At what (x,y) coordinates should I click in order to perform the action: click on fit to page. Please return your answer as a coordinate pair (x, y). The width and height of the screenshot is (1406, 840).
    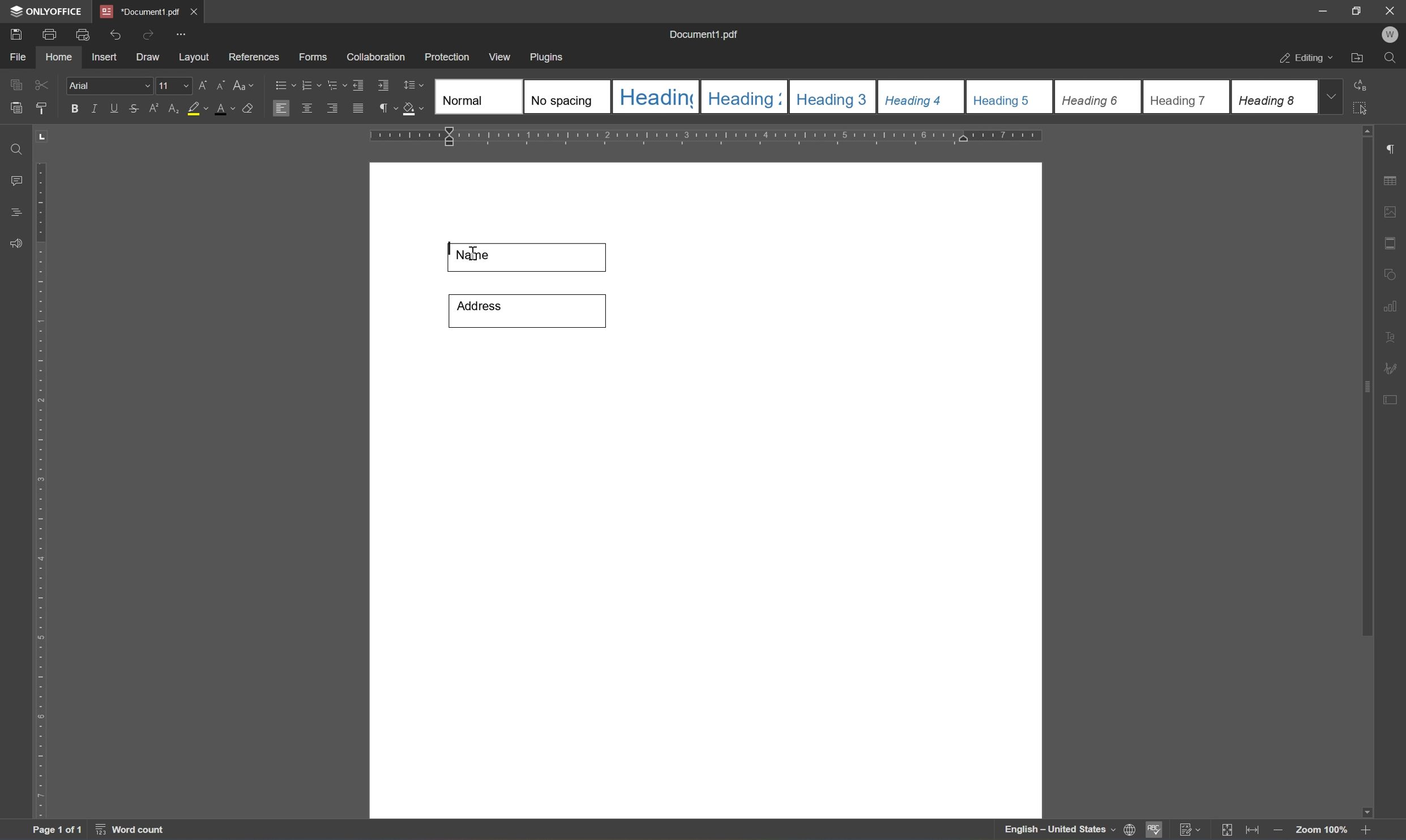
    Looking at the image, I should click on (1228, 830).